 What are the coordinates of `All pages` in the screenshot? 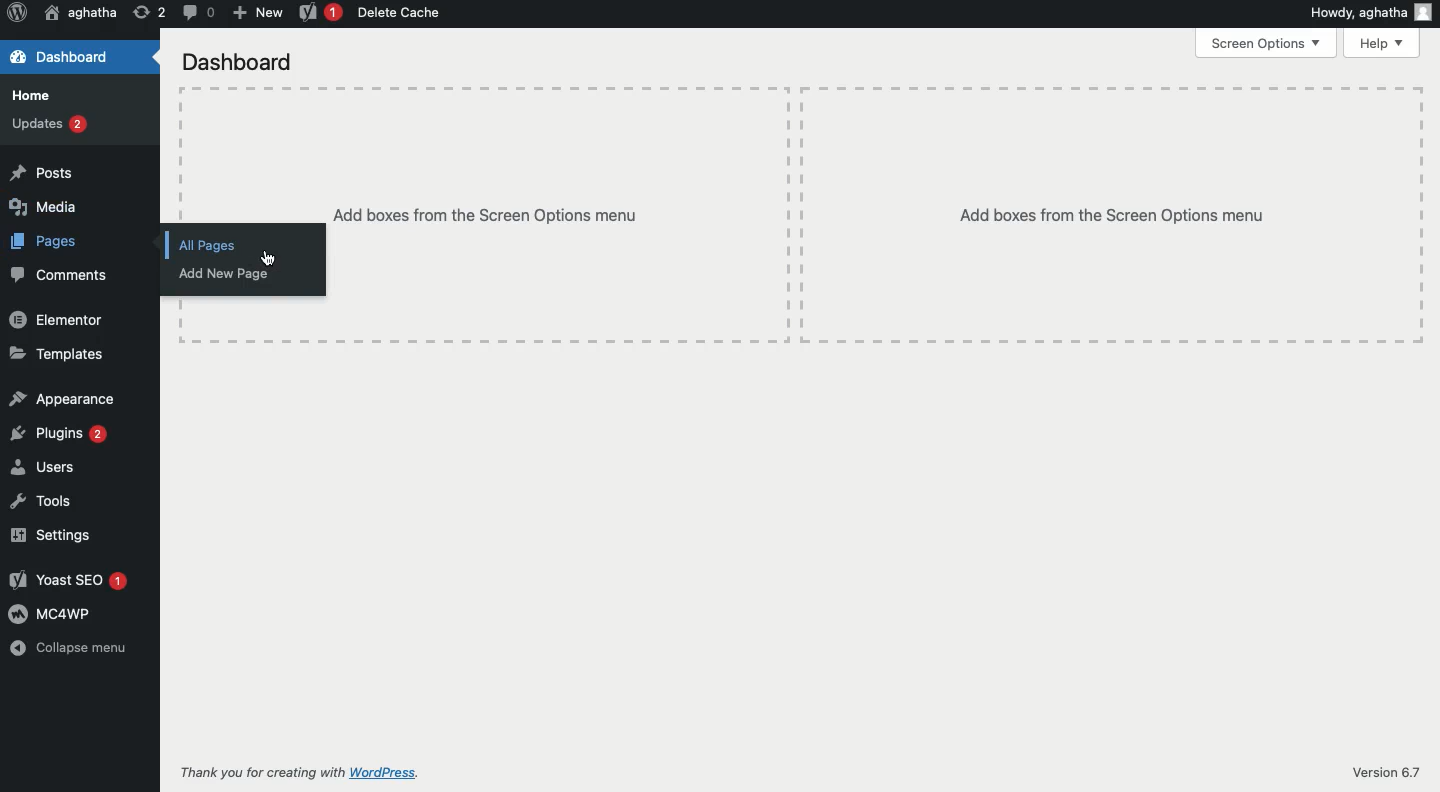 It's located at (206, 246).